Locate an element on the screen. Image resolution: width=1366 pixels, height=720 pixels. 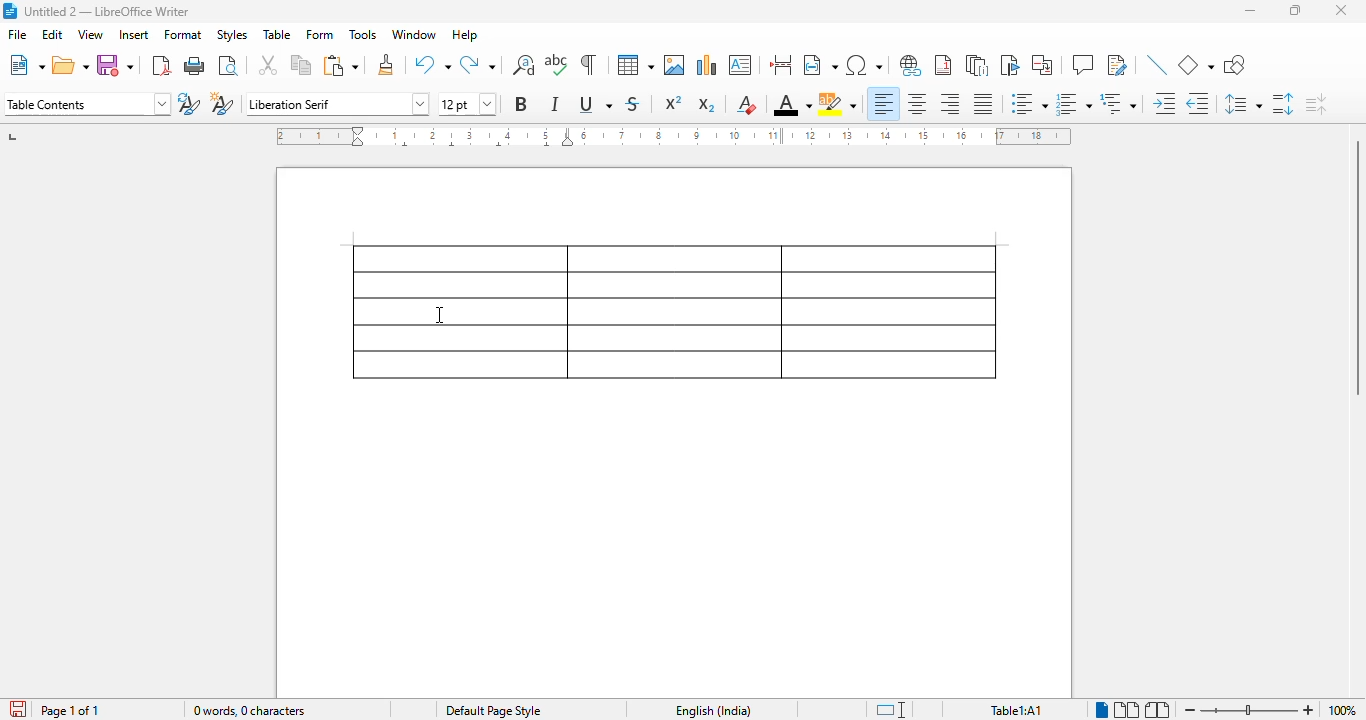
show draw functions is located at coordinates (1233, 64).